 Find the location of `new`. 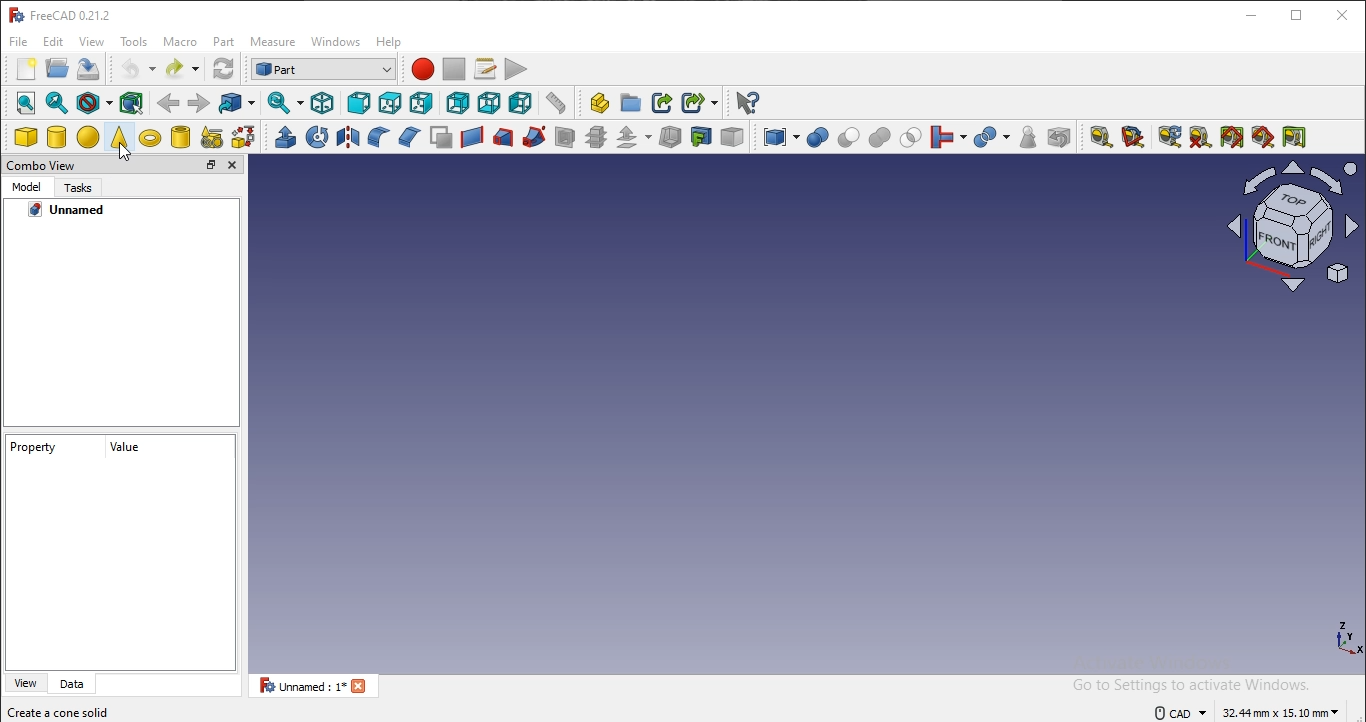

new is located at coordinates (27, 69).